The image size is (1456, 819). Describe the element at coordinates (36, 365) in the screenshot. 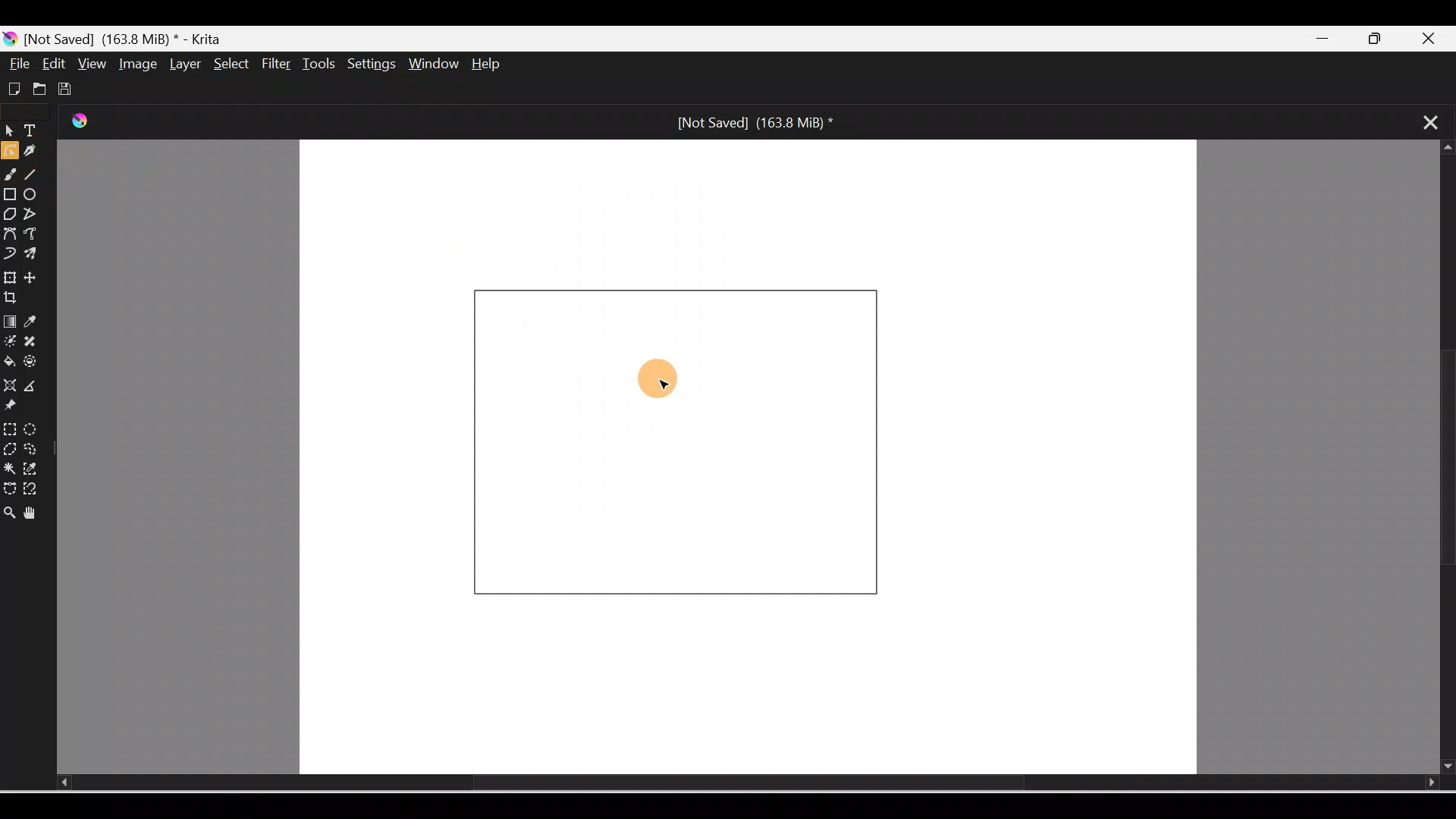

I see `Enclose and fill tool` at that location.